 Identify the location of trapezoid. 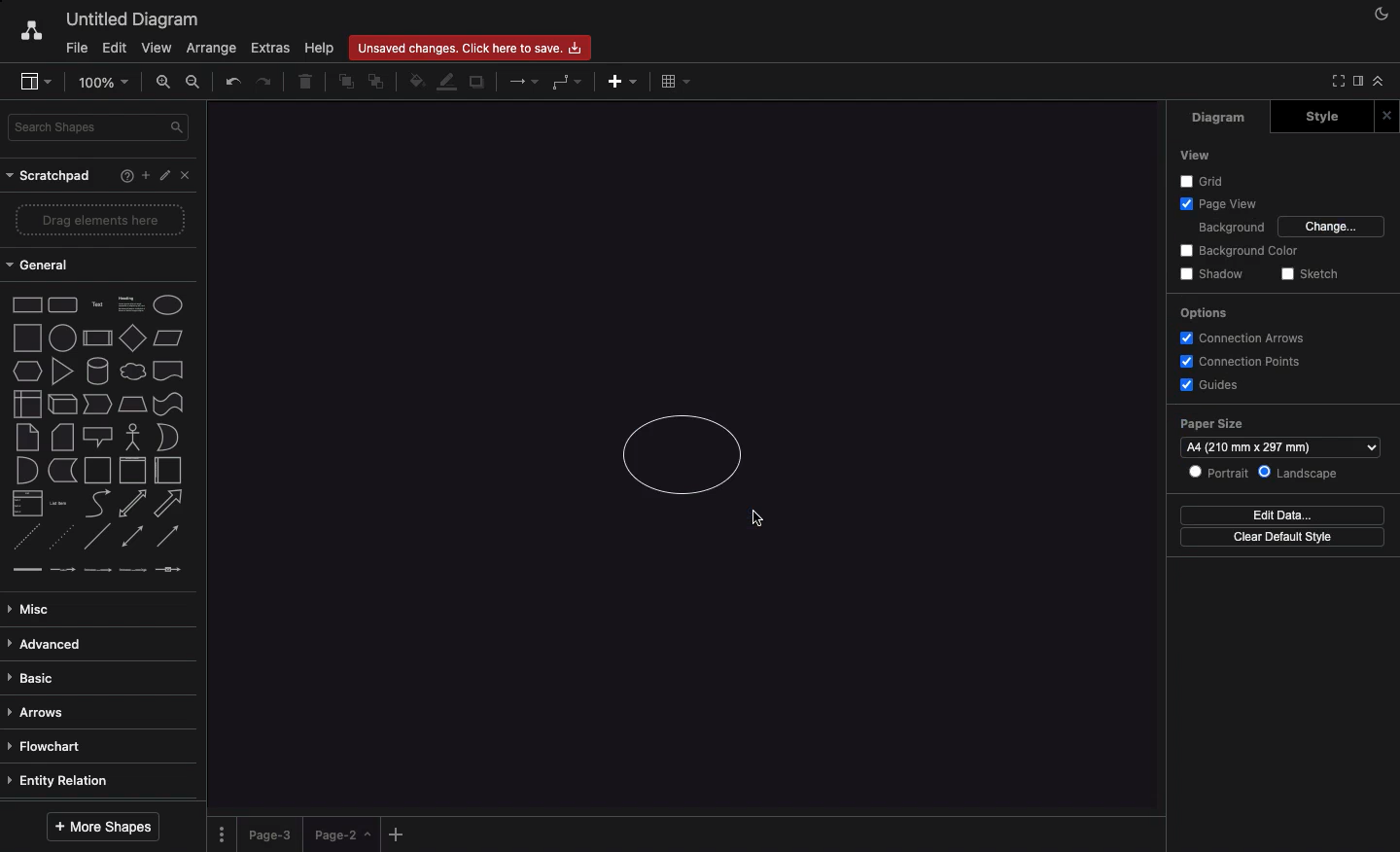
(132, 405).